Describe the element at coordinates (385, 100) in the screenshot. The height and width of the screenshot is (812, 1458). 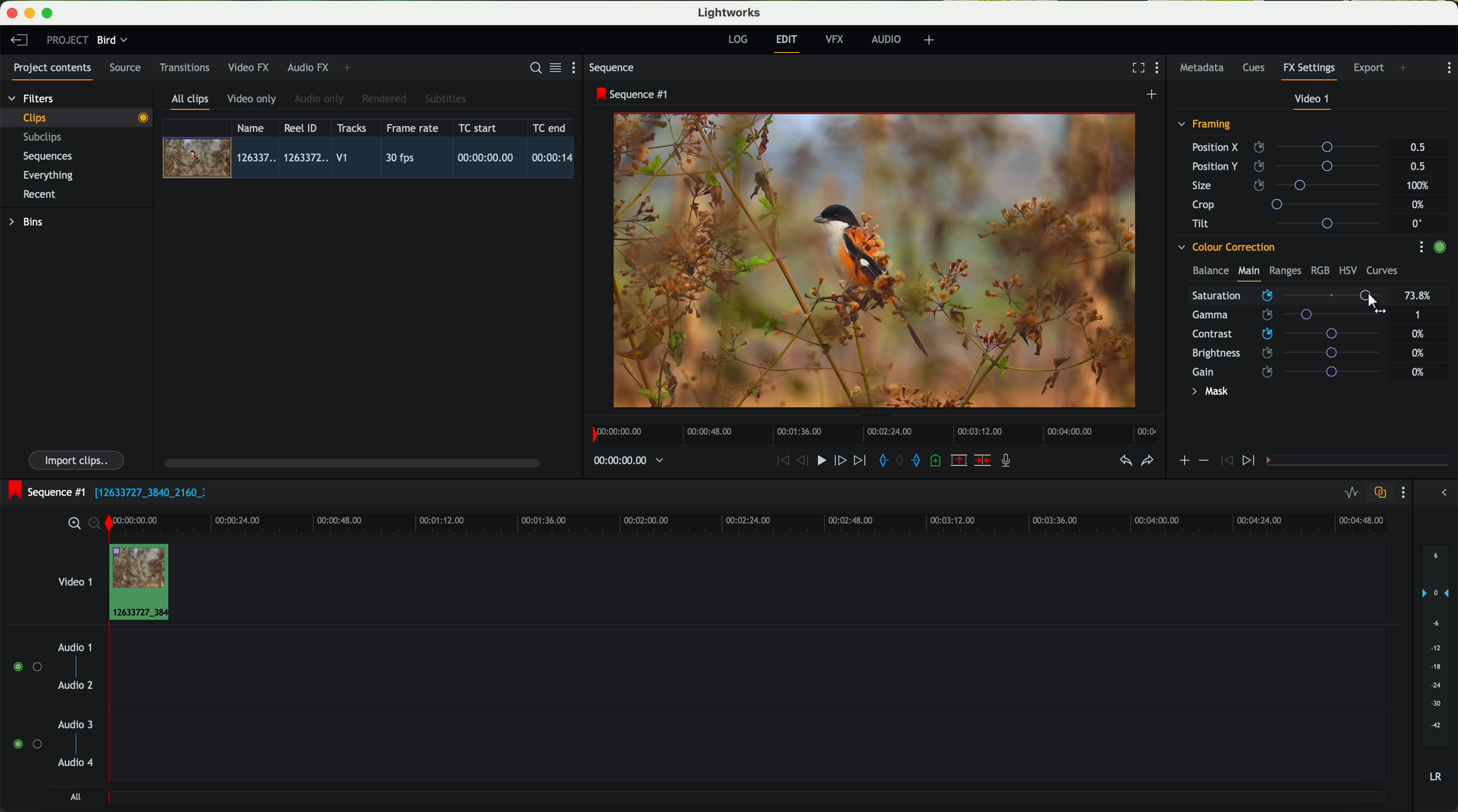
I see `rendered` at that location.